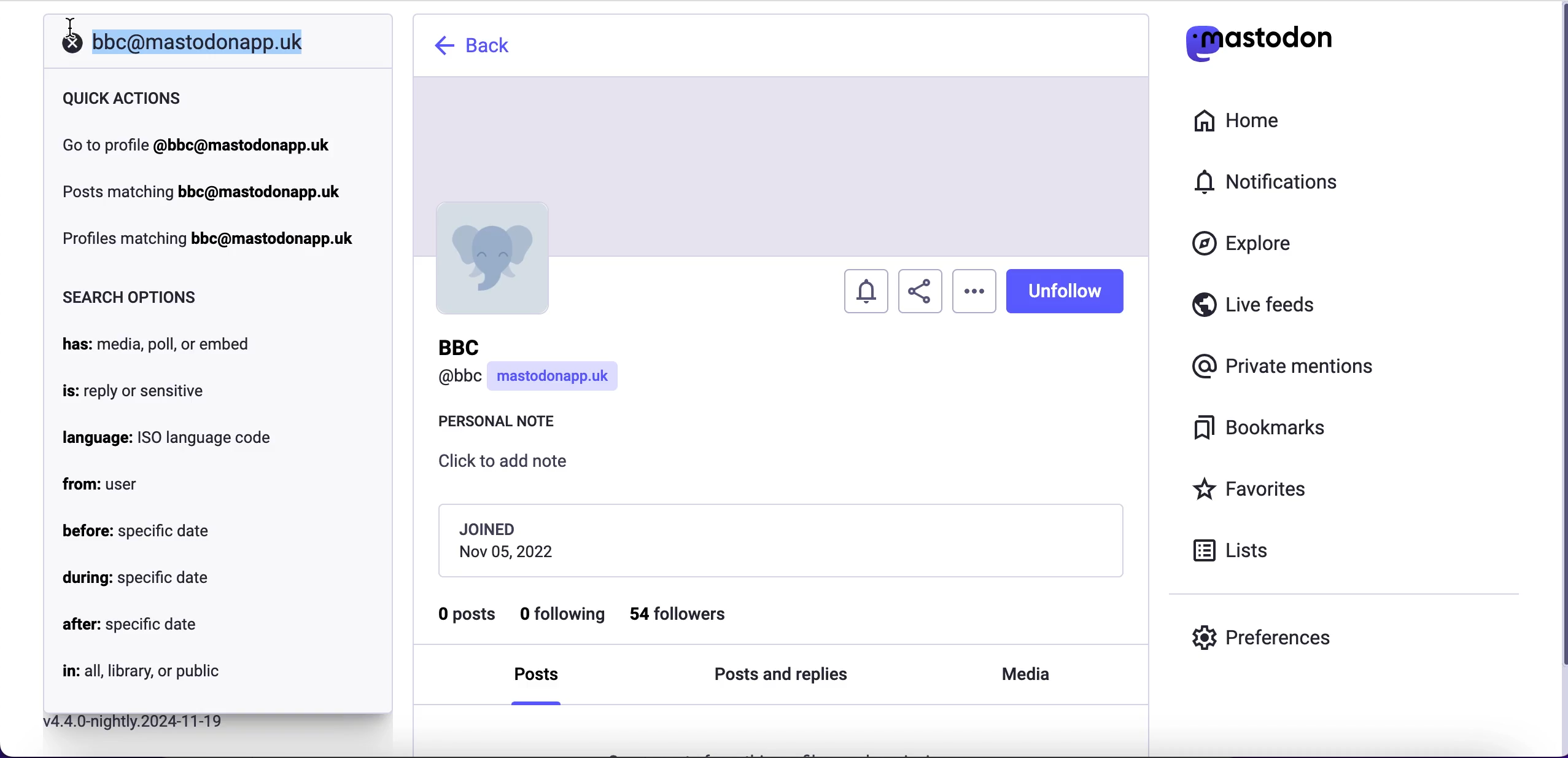 This screenshot has width=1568, height=758. I want to click on live feeds, so click(1254, 309).